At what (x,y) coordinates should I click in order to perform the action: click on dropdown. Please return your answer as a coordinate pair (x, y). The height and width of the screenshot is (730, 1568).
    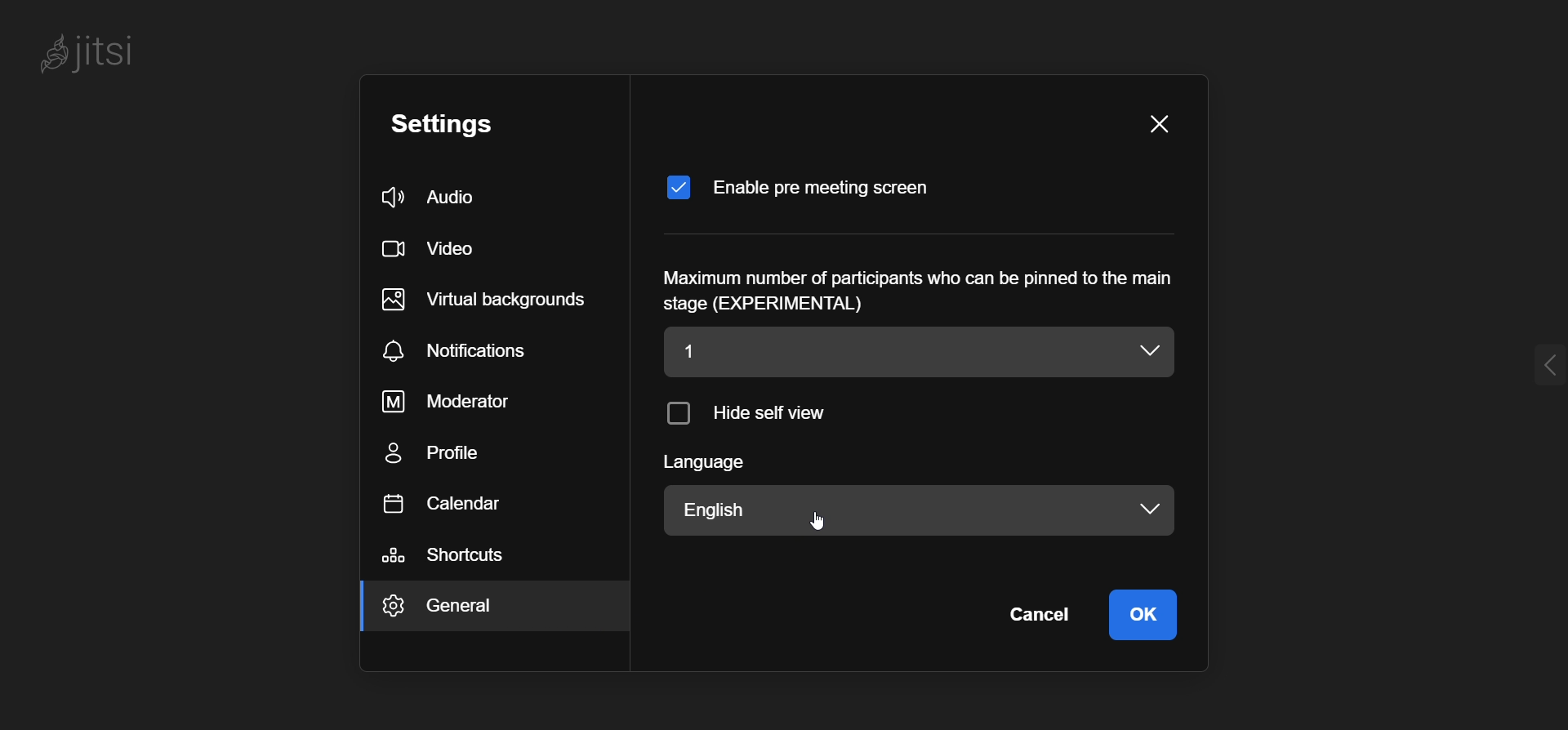
    Looking at the image, I should click on (1147, 512).